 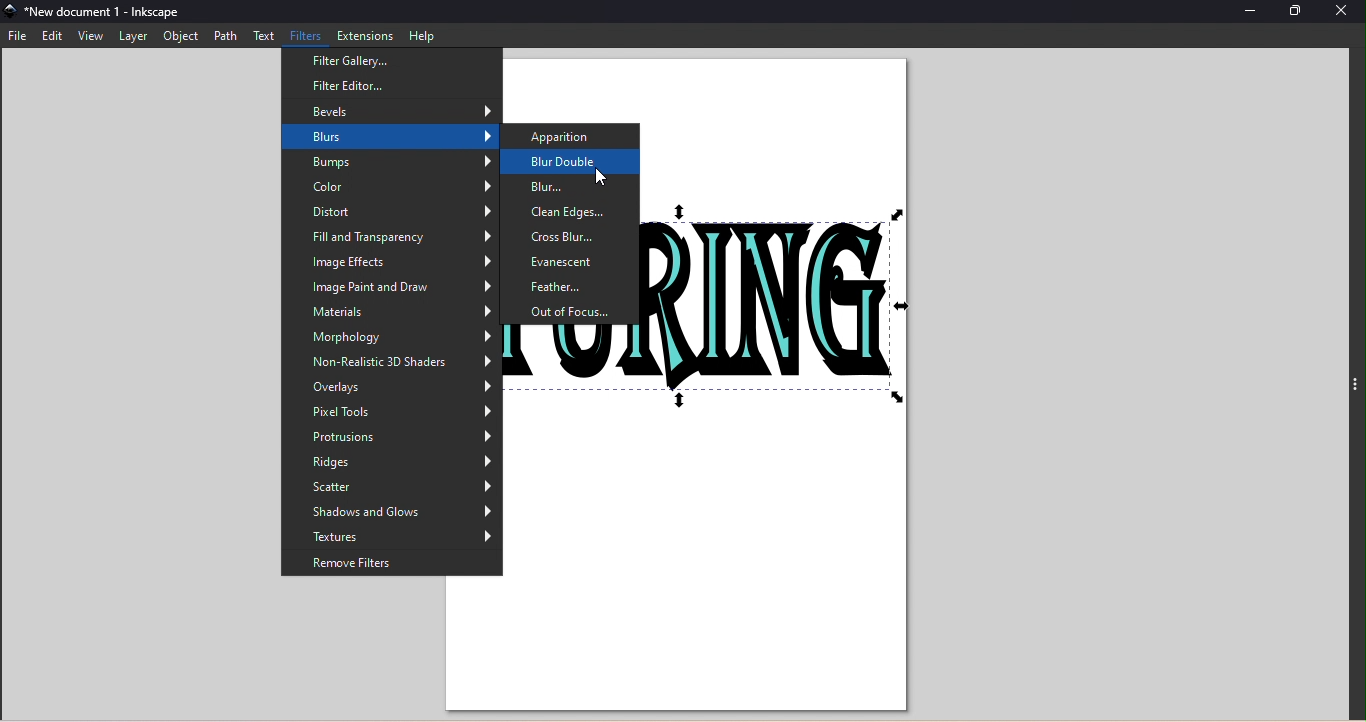 I want to click on Object, so click(x=176, y=37).